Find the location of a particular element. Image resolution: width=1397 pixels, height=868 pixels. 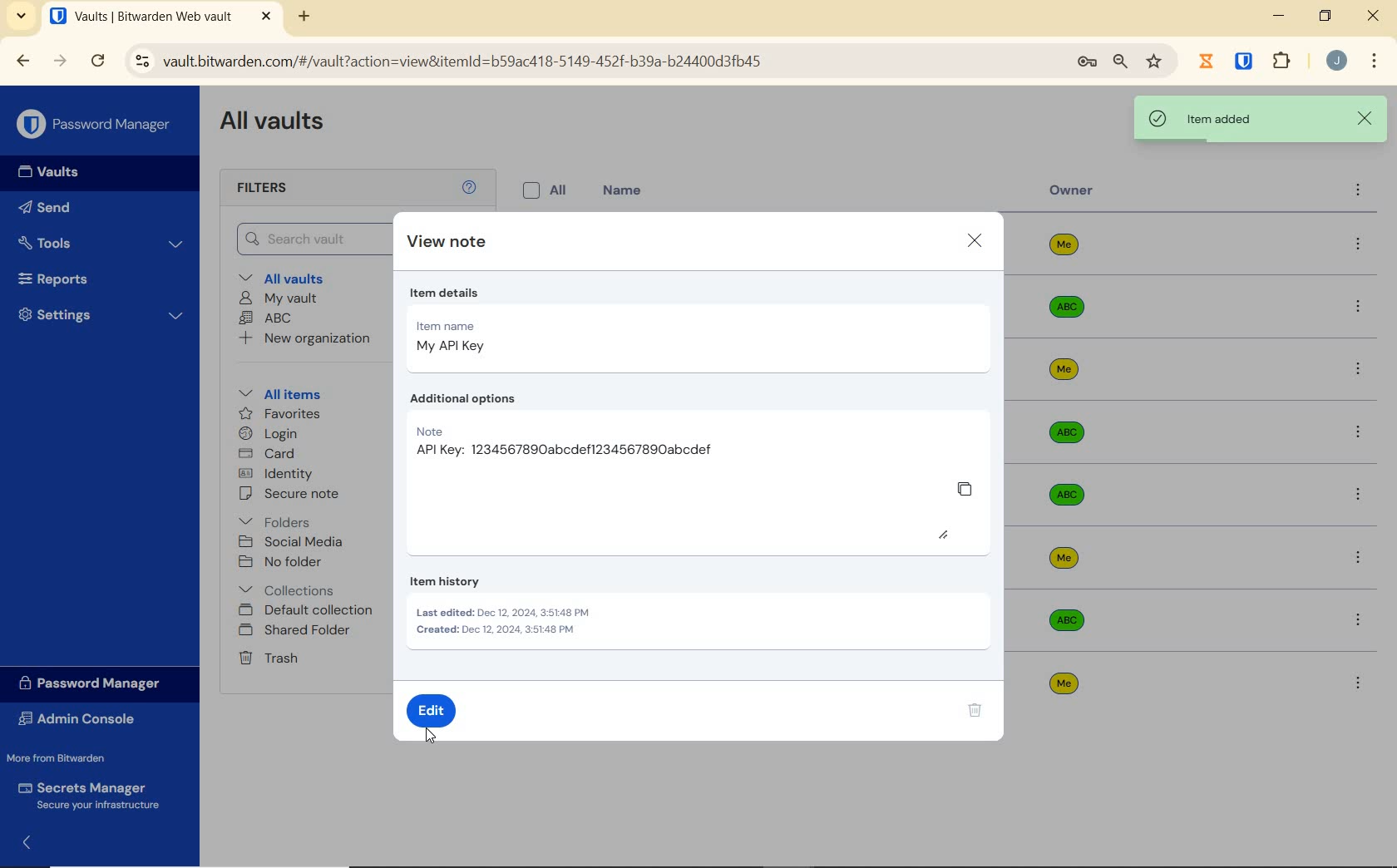

shared folder is located at coordinates (297, 631).